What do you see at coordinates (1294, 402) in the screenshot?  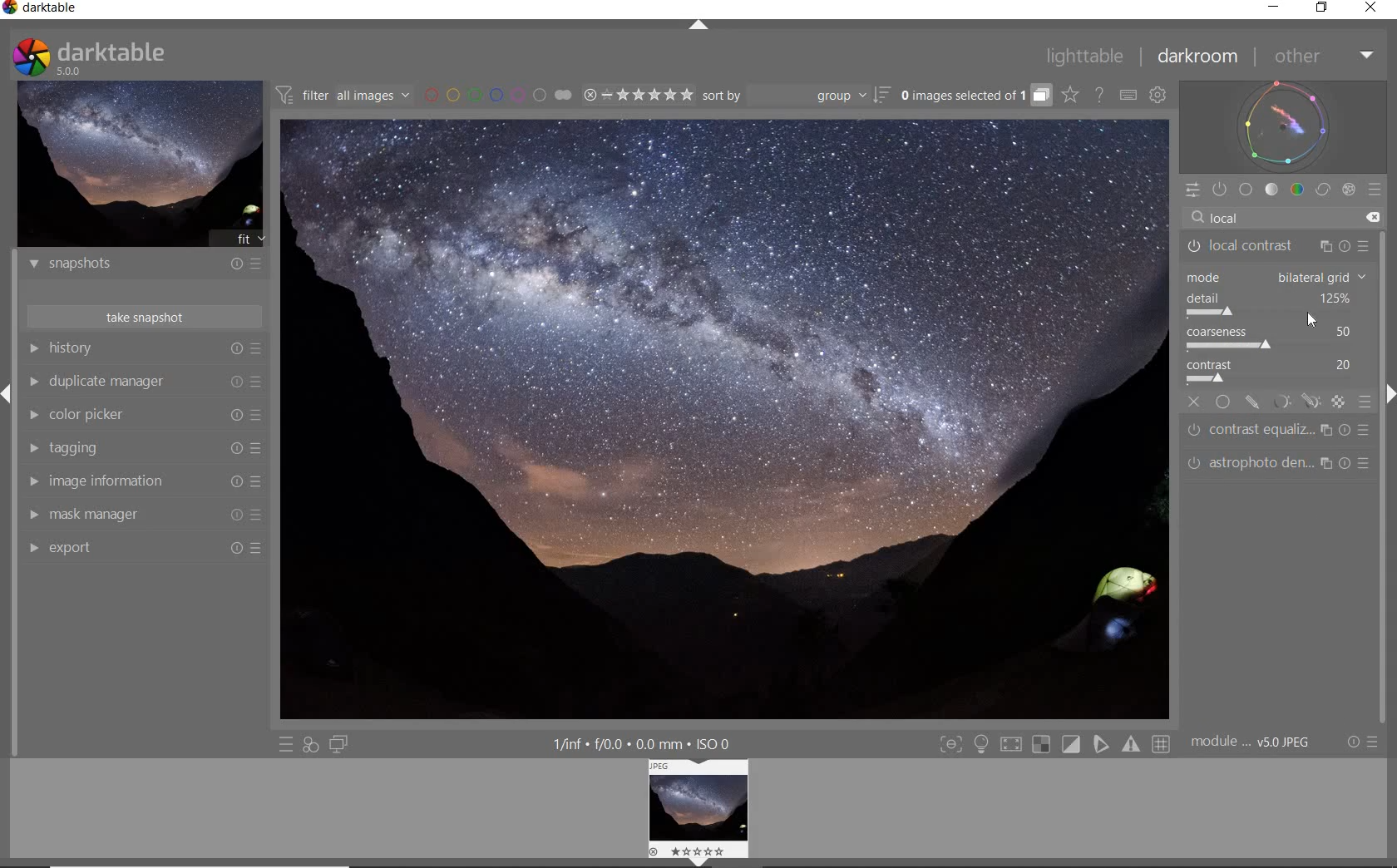 I see `mask options` at bounding box center [1294, 402].